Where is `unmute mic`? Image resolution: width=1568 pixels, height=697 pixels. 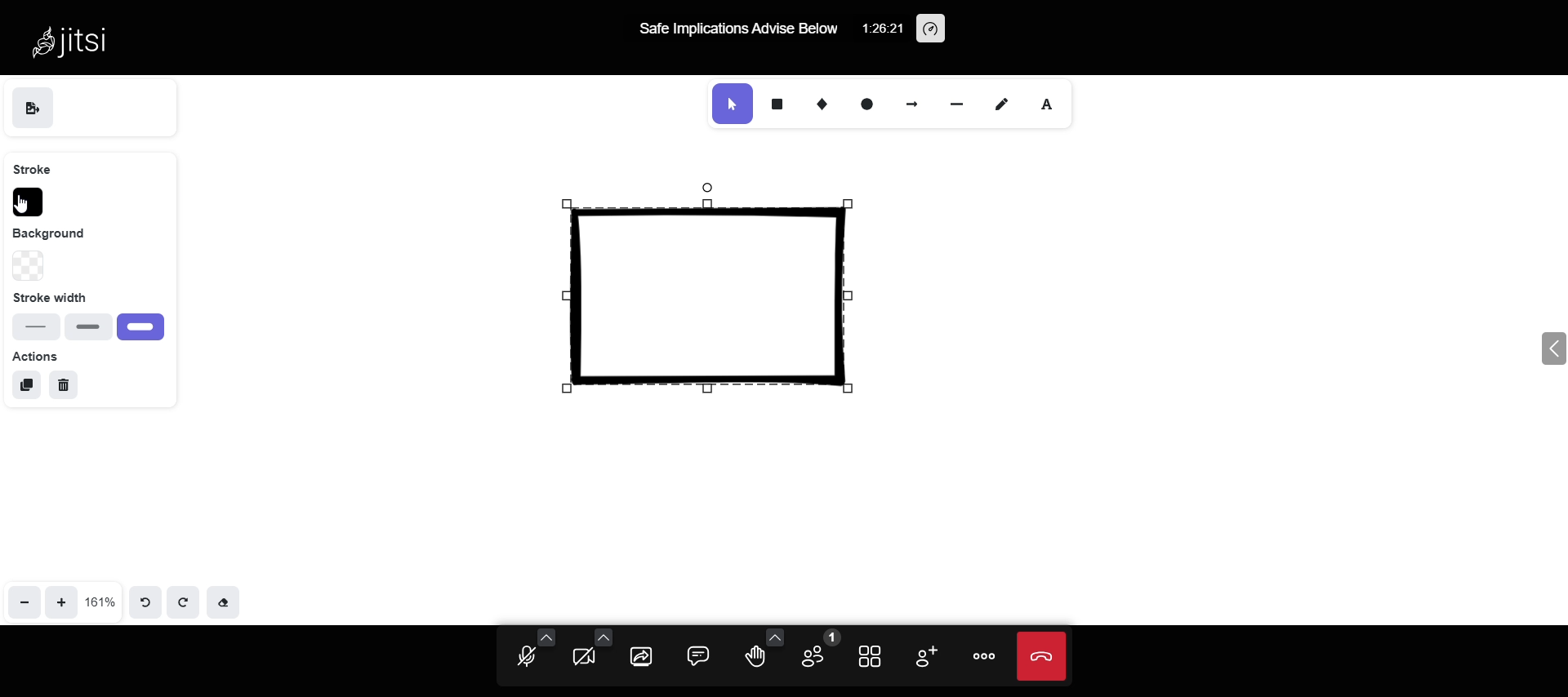
unmute mic is located at coordinates (523, 660).